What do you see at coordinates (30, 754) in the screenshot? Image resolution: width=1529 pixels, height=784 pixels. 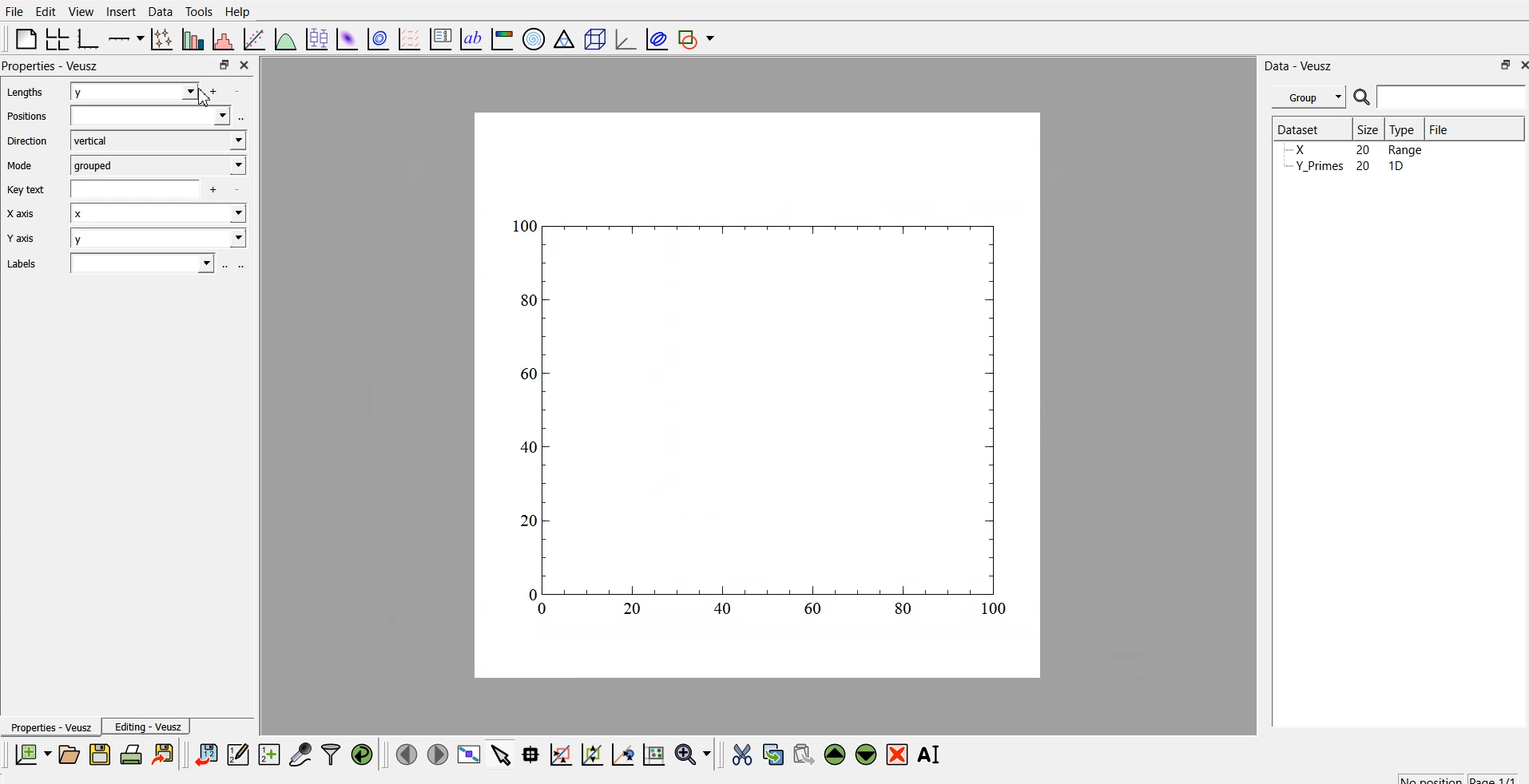 I see `new document` at bounding box center [30, 754].